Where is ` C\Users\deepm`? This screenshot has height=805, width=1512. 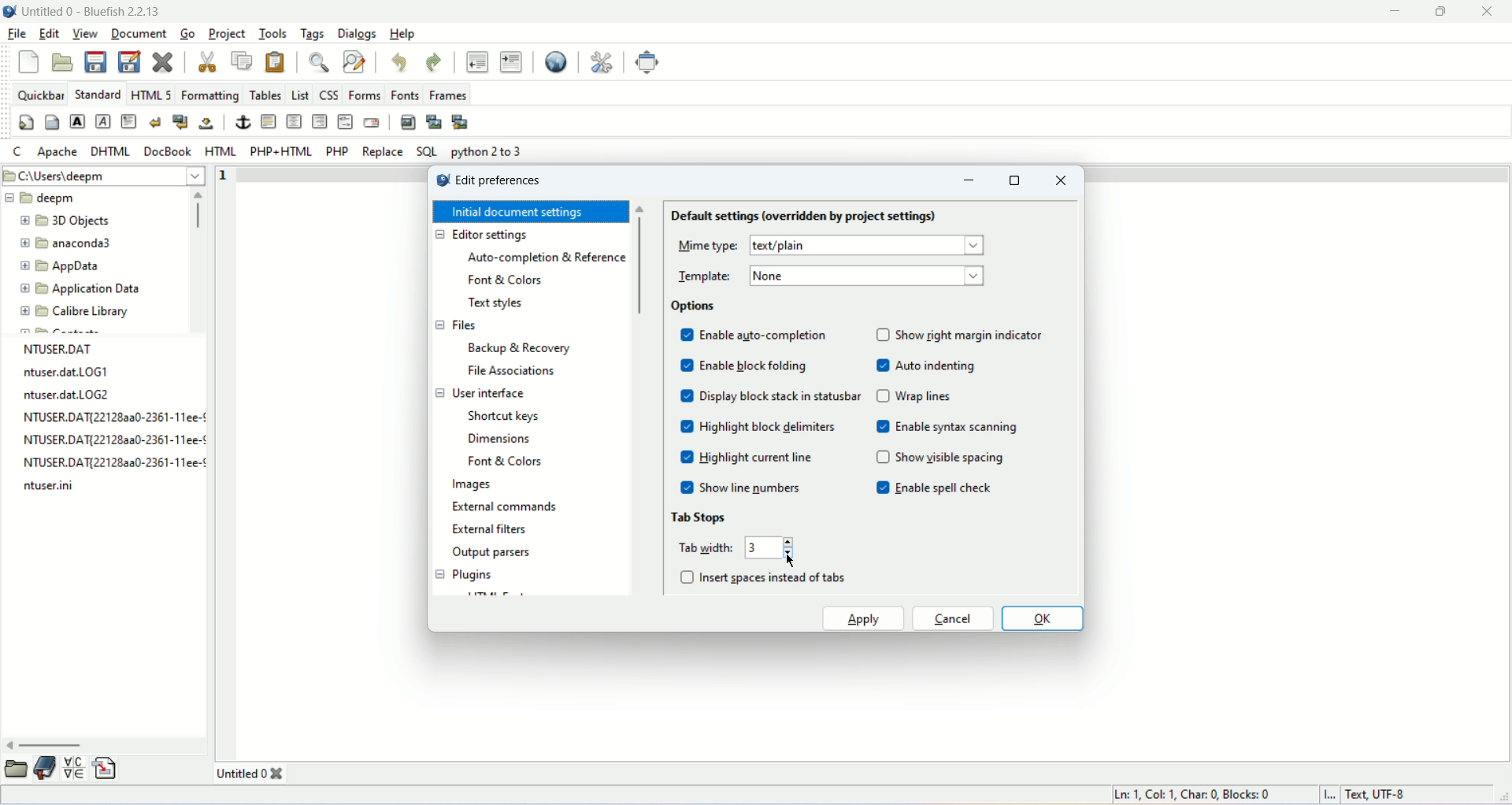  C\Users\deepm is located at coordinates (64, 178).